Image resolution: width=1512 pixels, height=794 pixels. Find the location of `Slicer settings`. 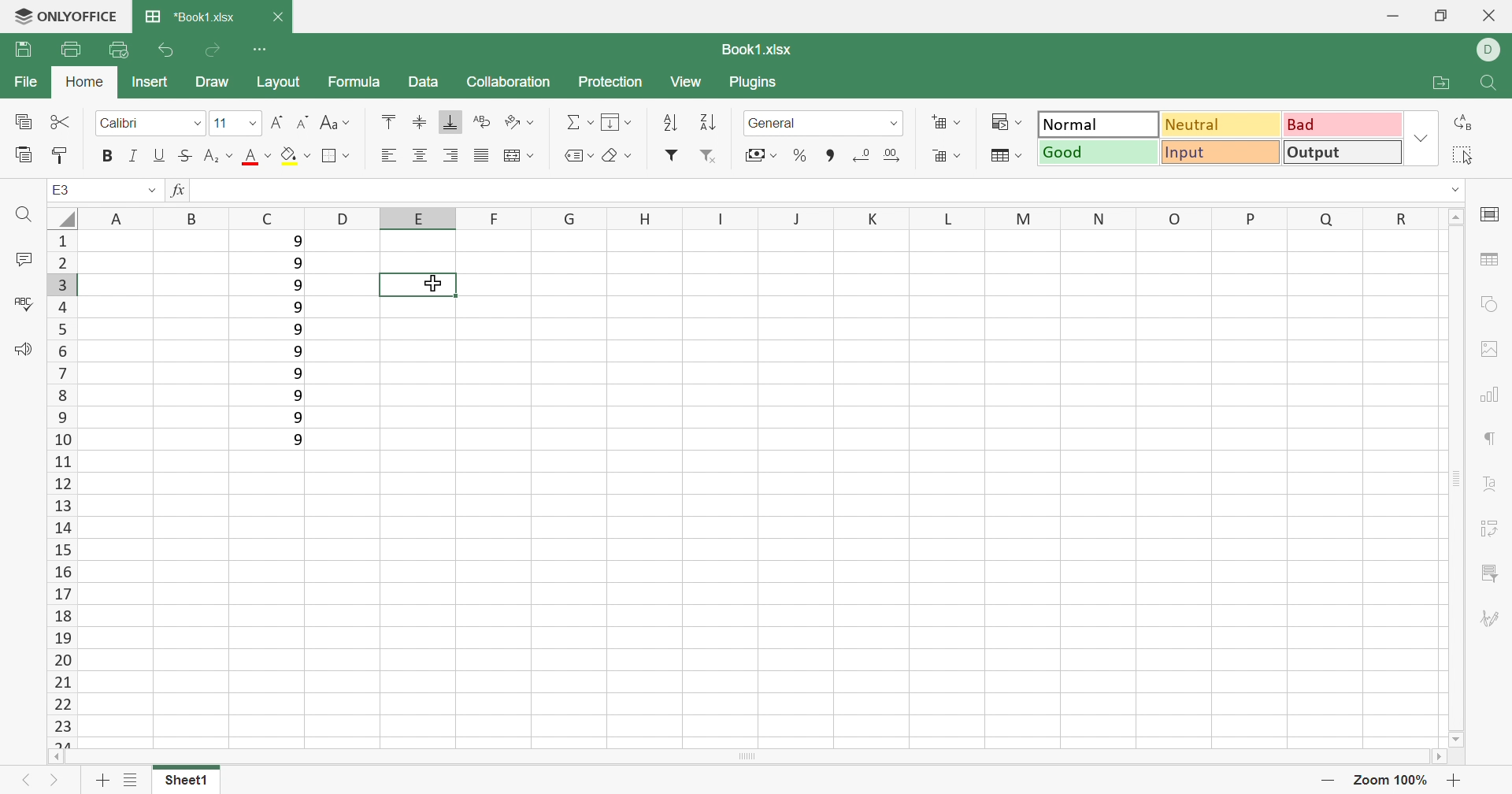

Slicer settings is located at coordinates (1491, 572).